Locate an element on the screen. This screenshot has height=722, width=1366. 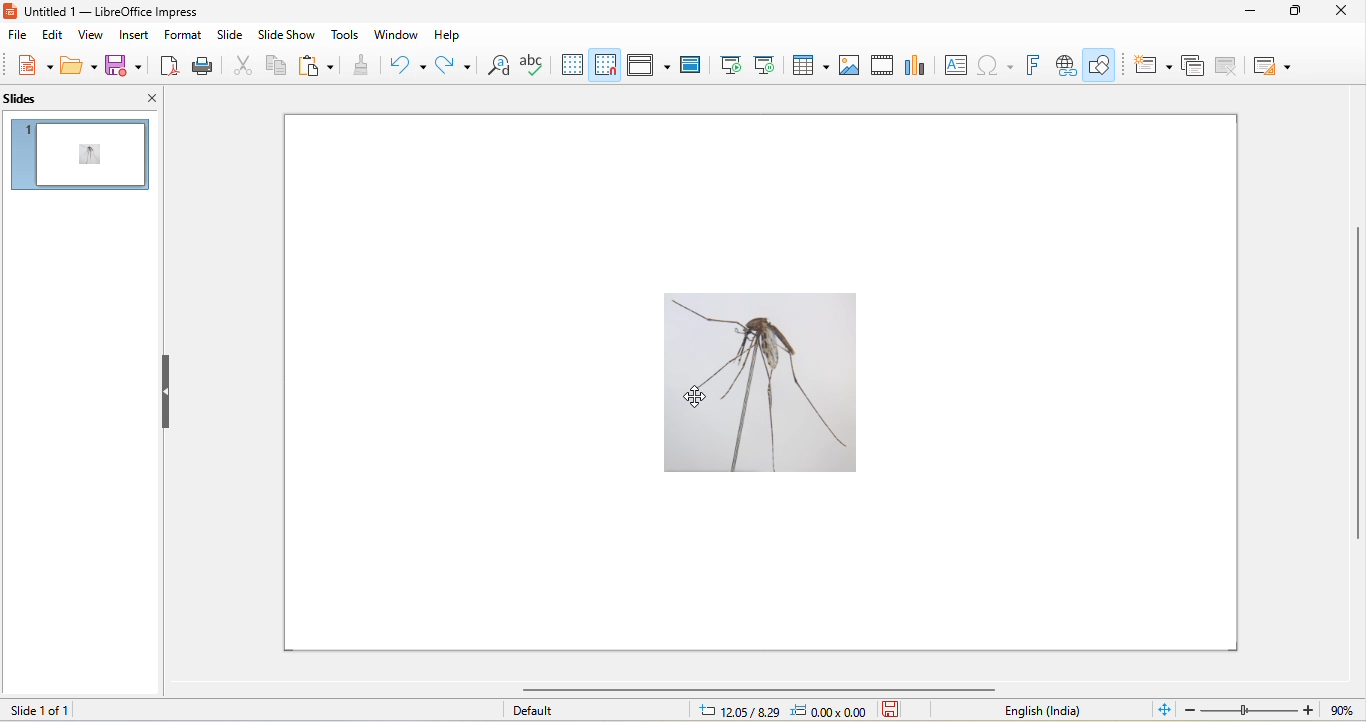
start from current is located at coordinates (765, 64).